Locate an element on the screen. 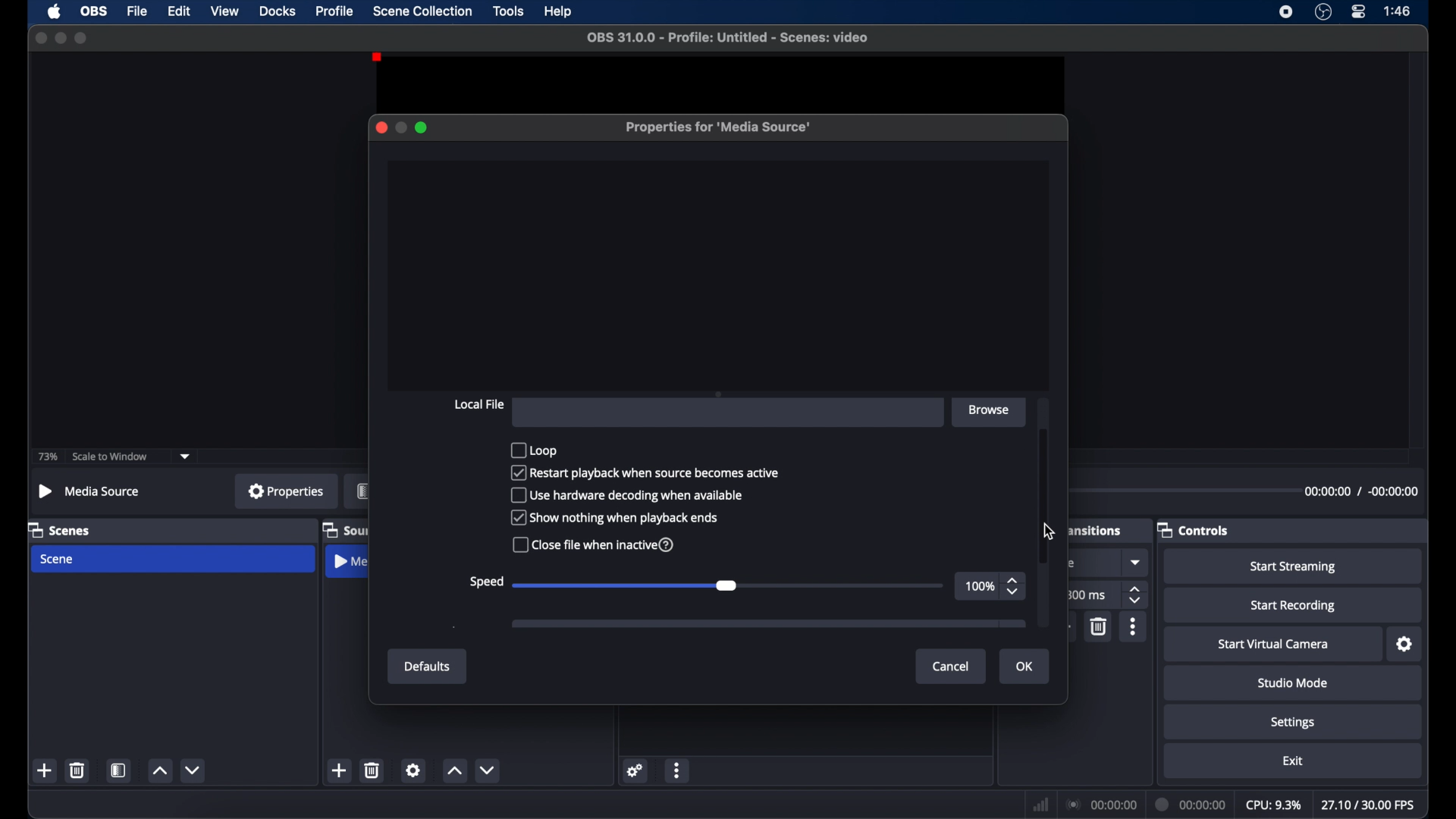 The width and height of the screenshot is (1456, 819). time is located at coordinates (1398, 10).